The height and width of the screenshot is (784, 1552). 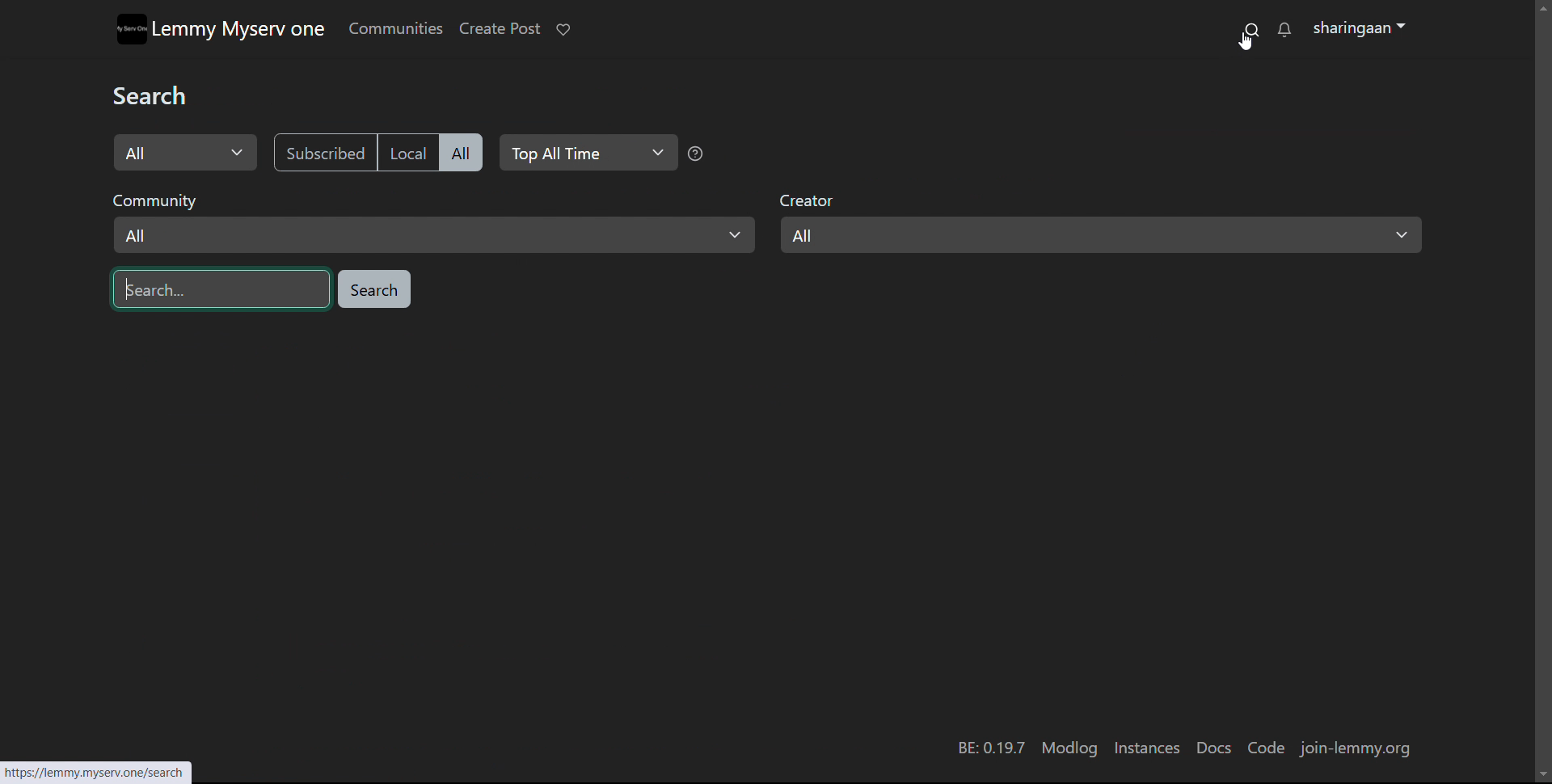 What do you see at coordinates (1069, 748) in the screenshot?
I see `modlog` at bounding box center [1069, 748].